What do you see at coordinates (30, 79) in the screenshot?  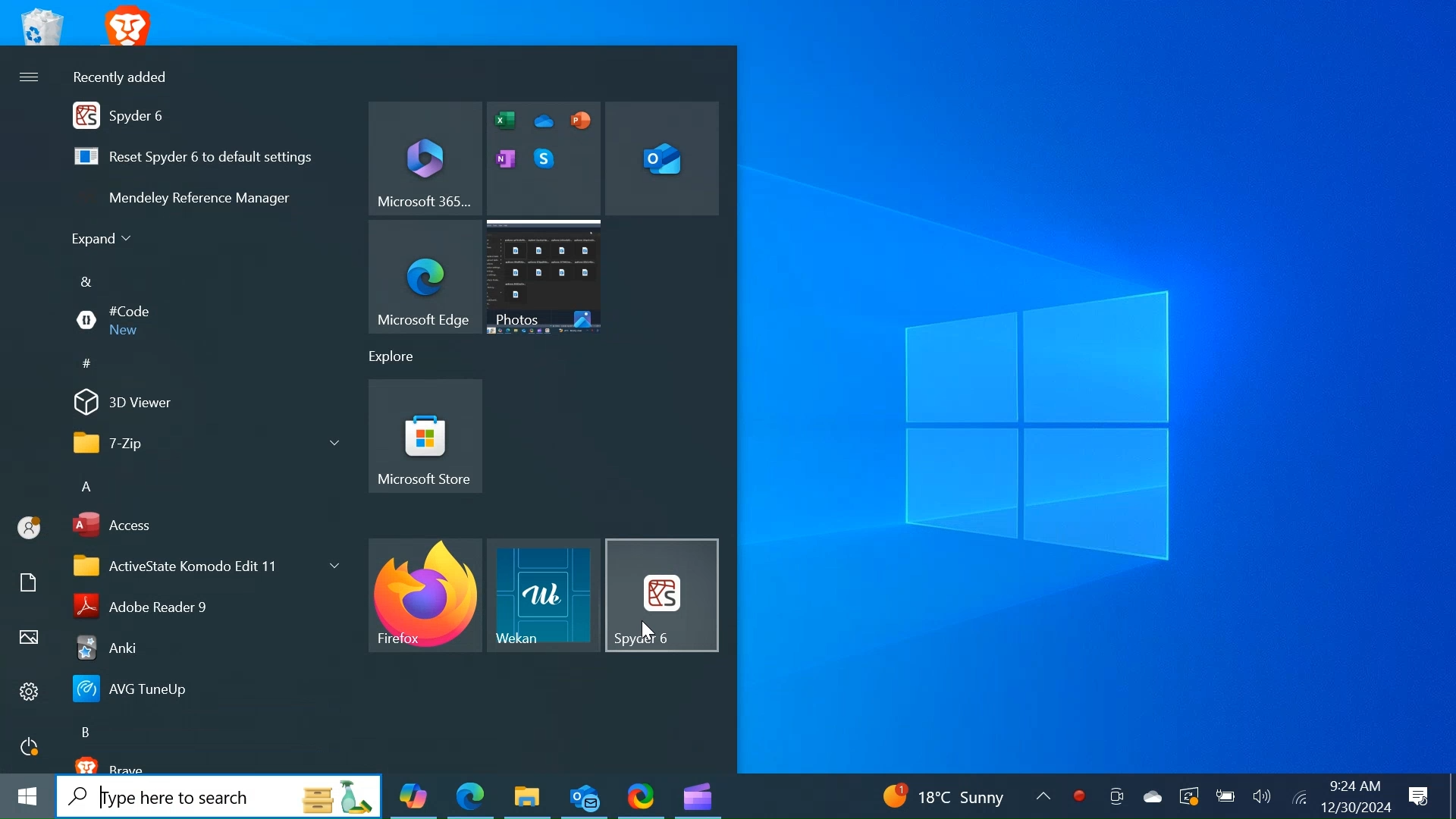 I see `More Options` at bounding box center [30, 79].